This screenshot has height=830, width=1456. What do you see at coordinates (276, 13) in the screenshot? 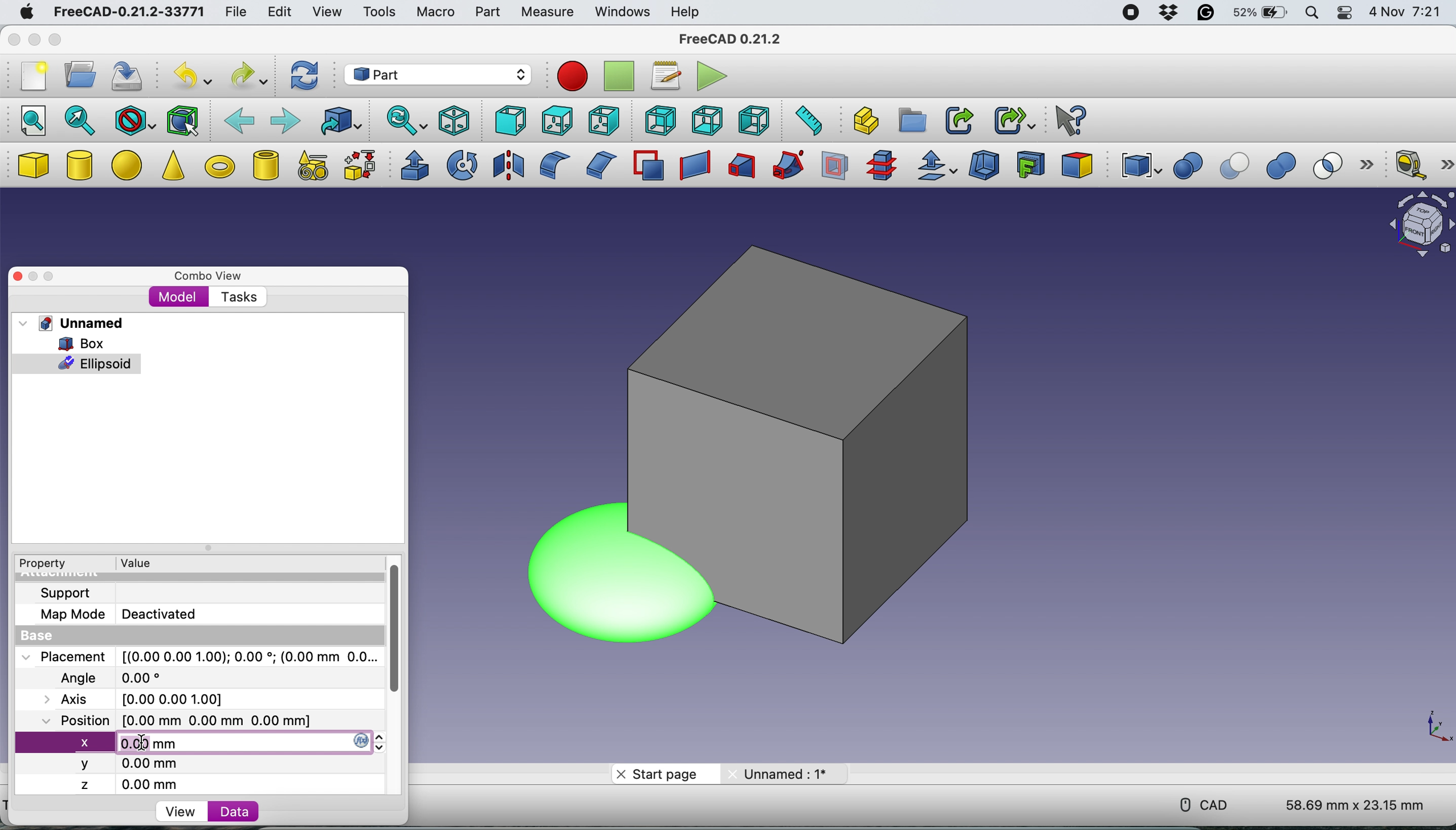
I see `edit` at bounding box center [276, 13].